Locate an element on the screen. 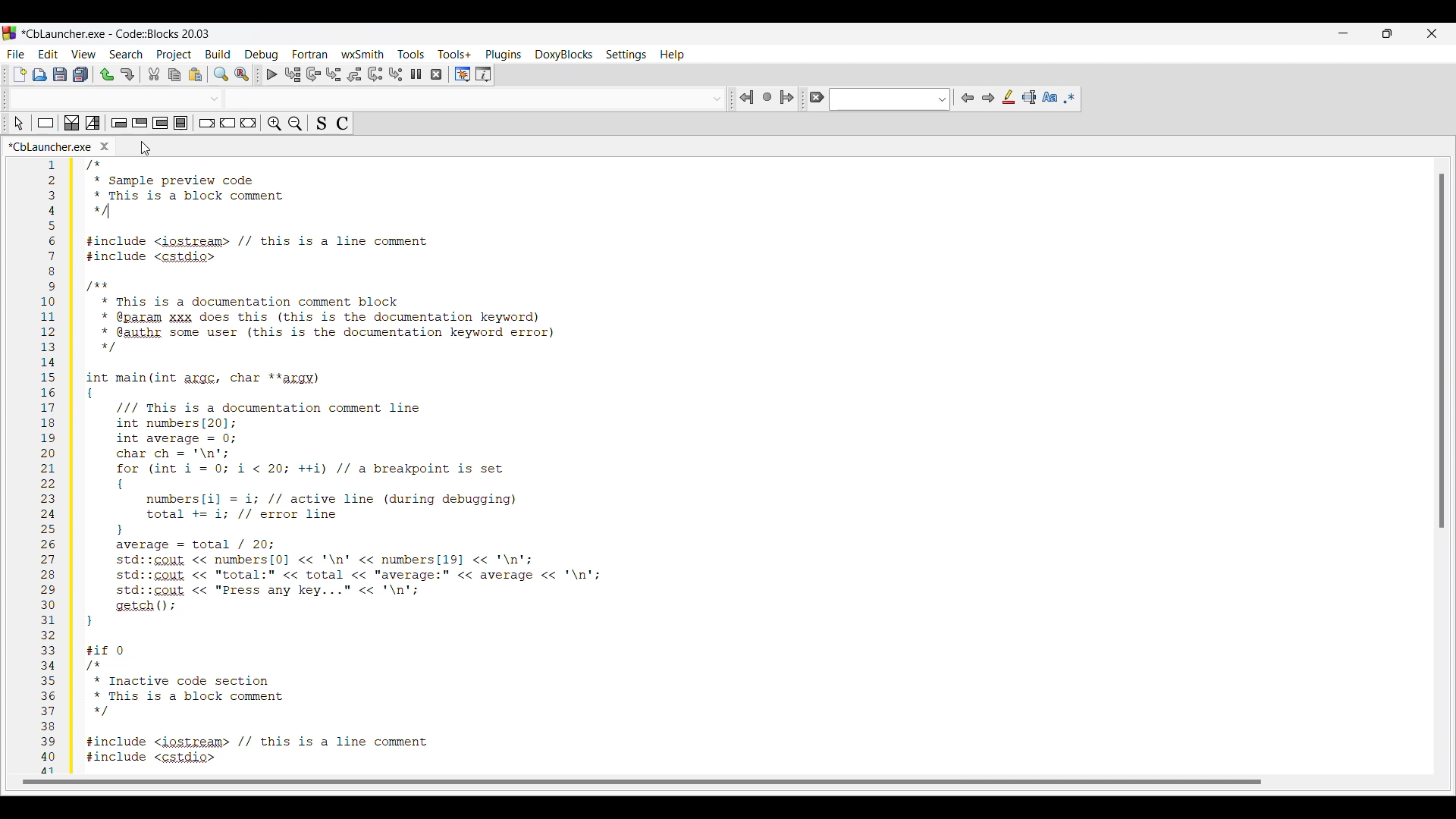 The image size is (1456, 819). Last jump is located at coordinates (767, 97).